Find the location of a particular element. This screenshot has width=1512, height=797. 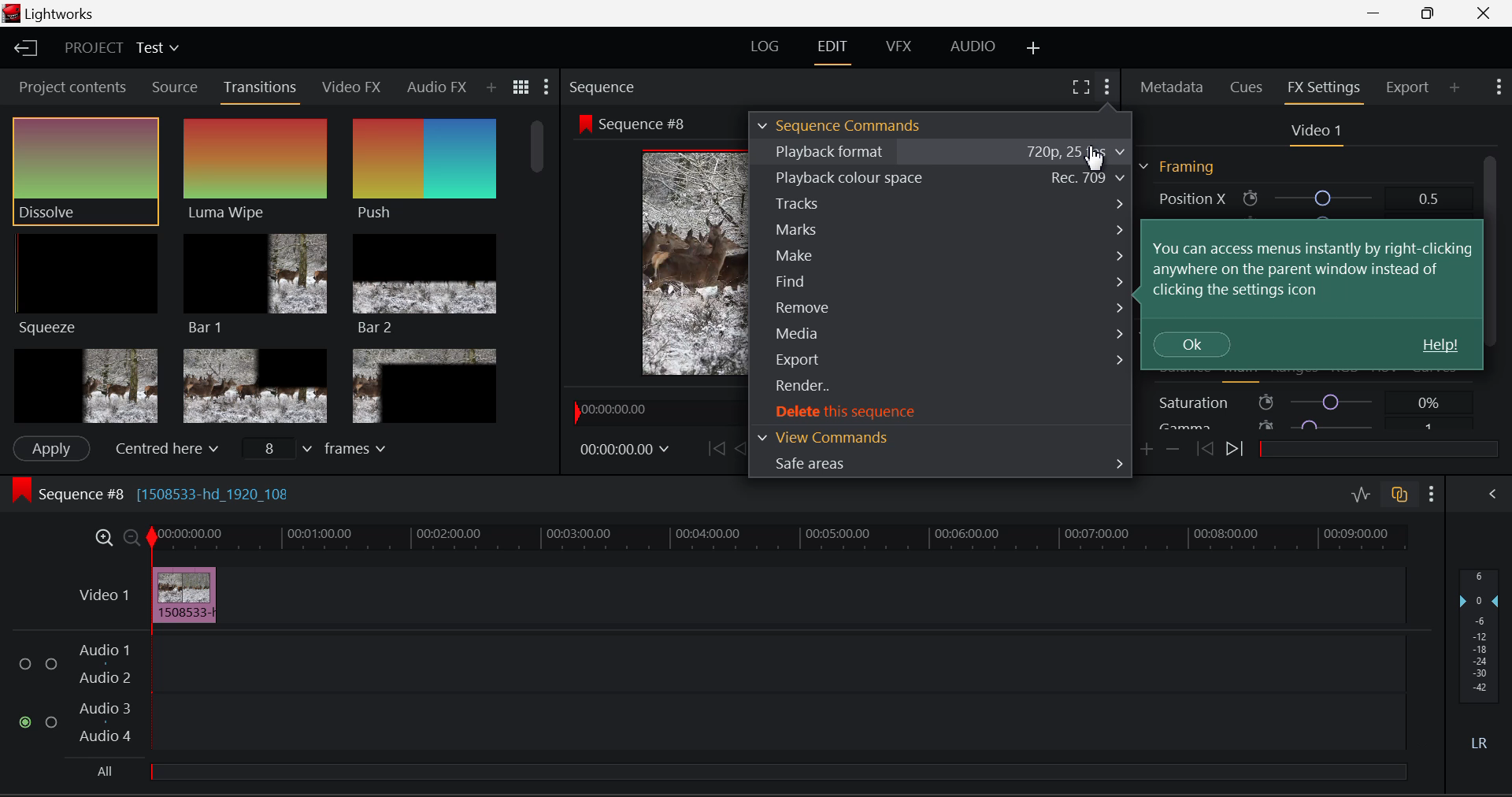

Sequence #8 is located at coordinates (639, 124).